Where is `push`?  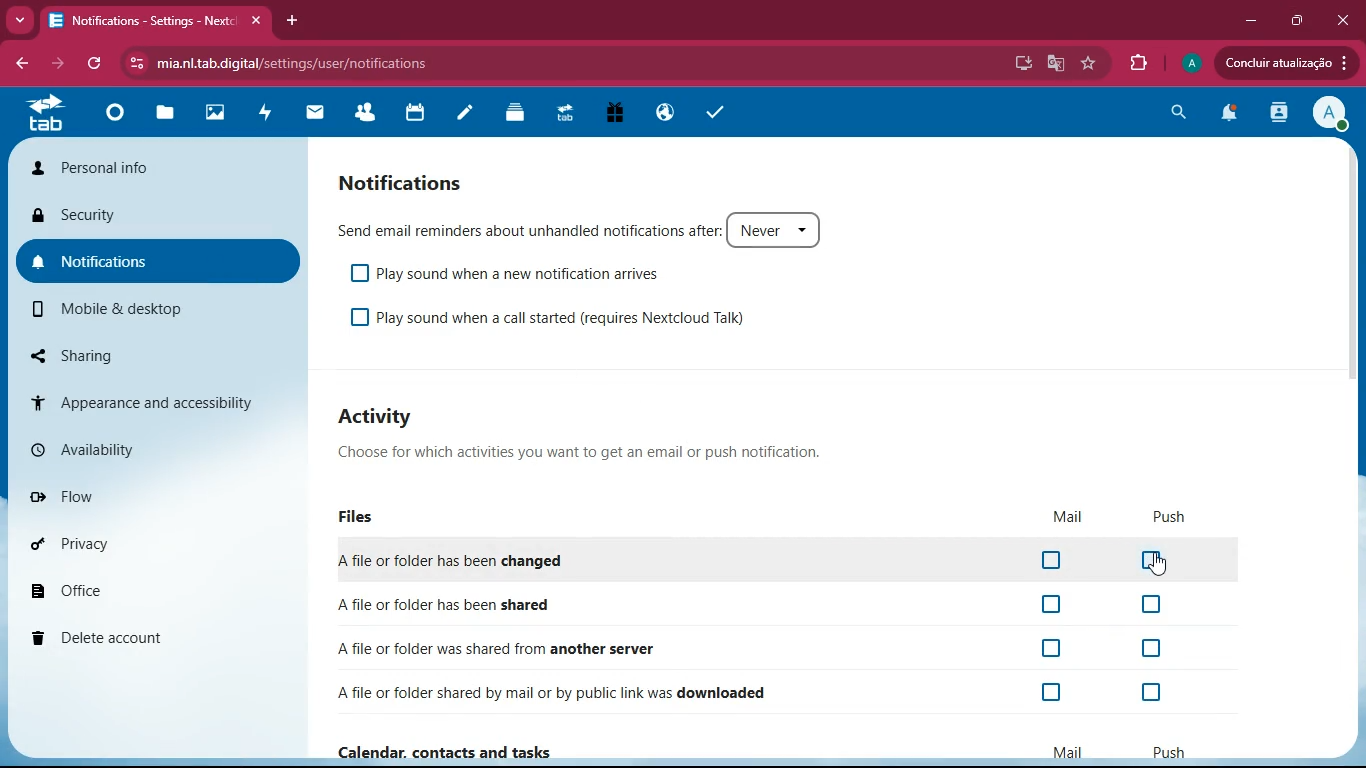
push is located at coordinates (1170, 516).